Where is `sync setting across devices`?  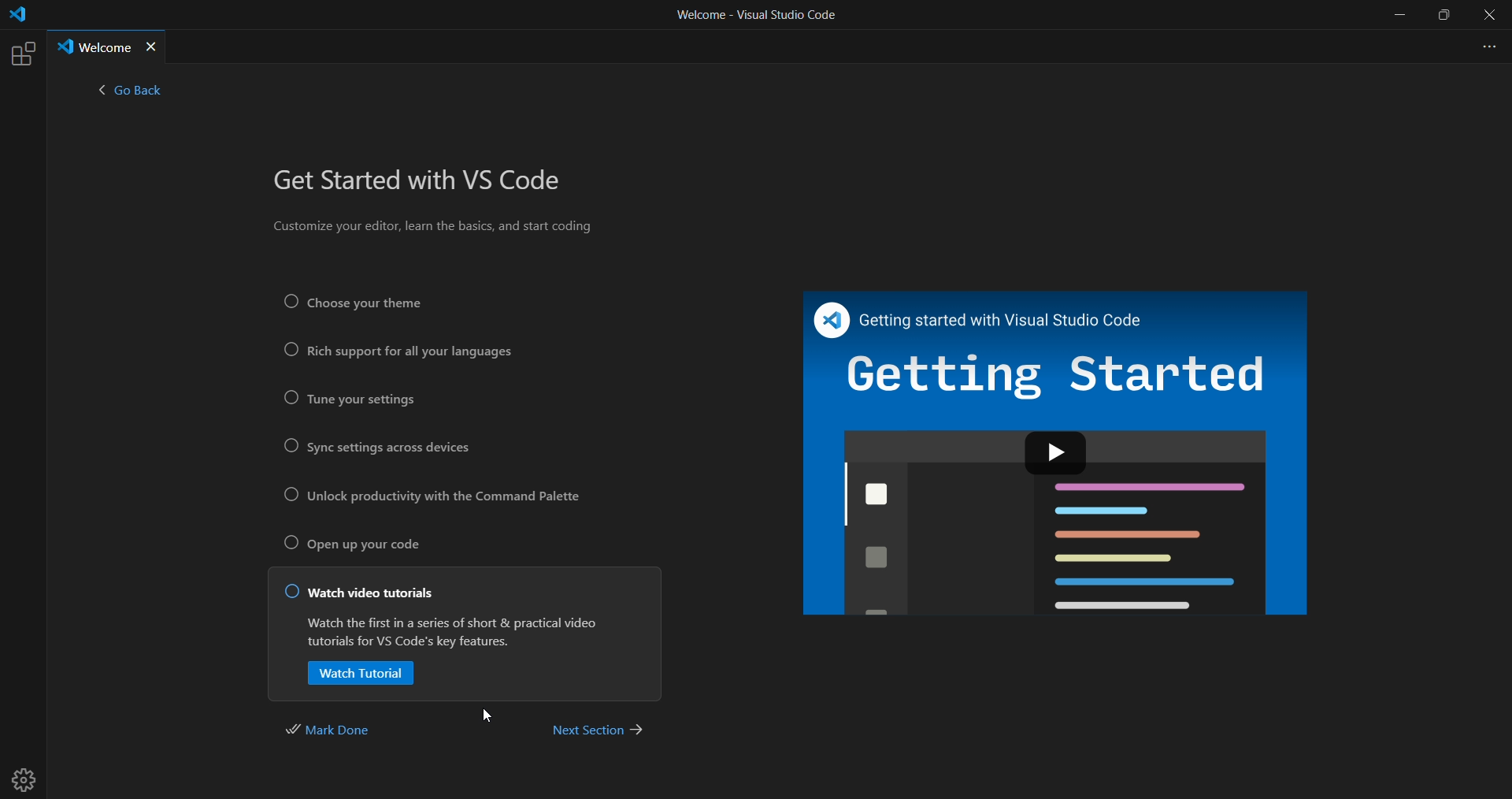
sync setting across devices is located at coordinates (391, 449).